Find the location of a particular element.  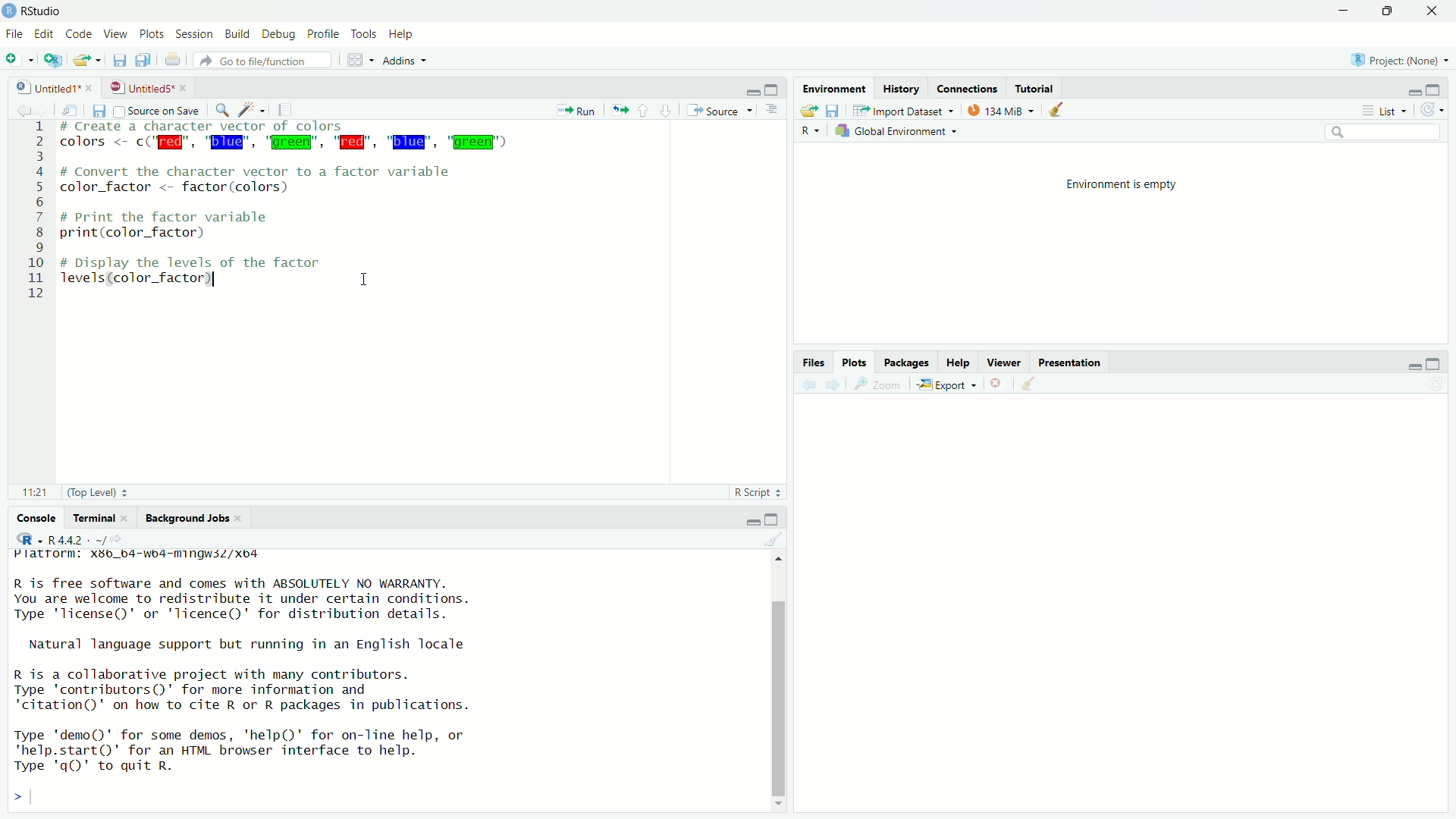

code tools is located at coordinates (253, 110).